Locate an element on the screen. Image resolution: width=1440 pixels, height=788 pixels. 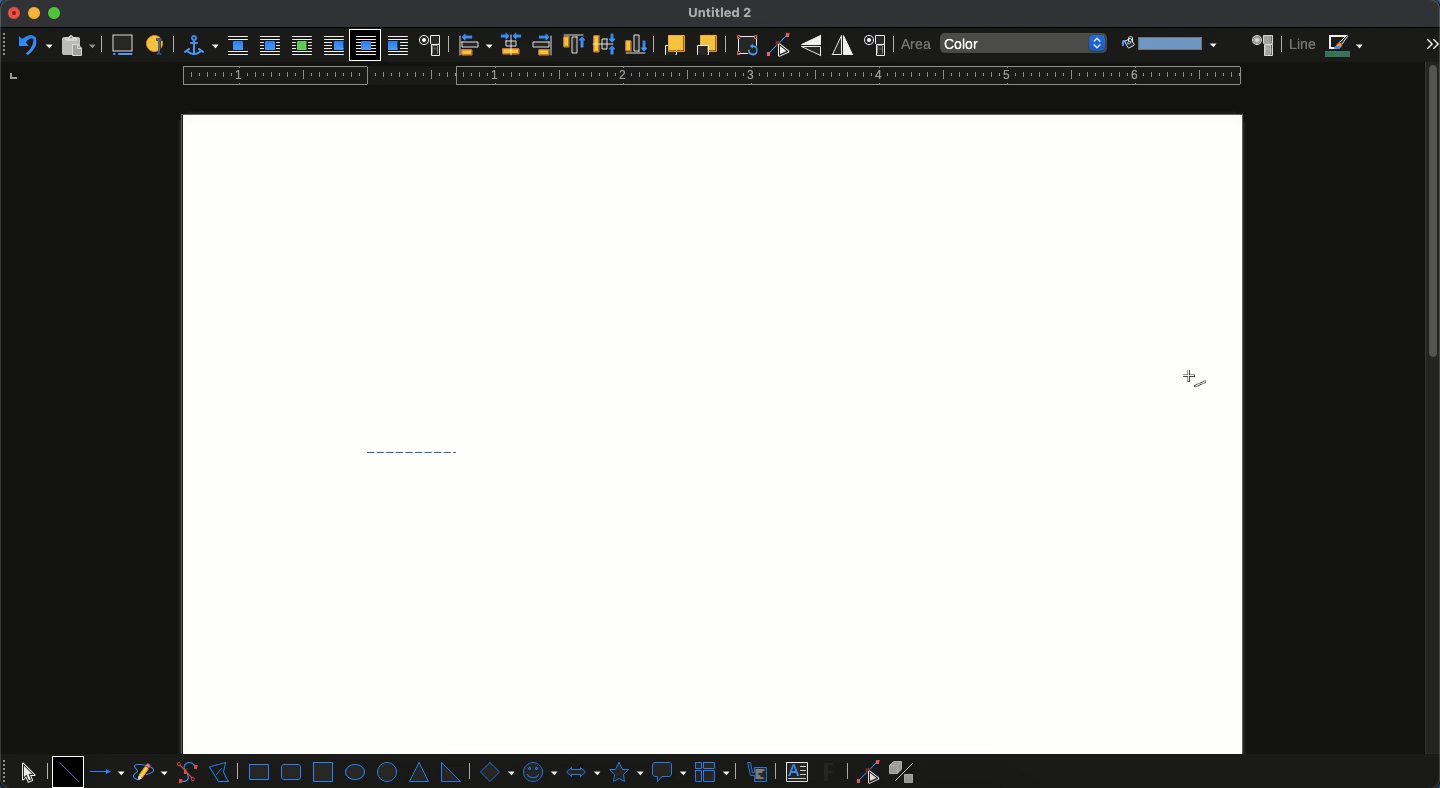
Untitled 2 - name is located at coordinates (724, 14).